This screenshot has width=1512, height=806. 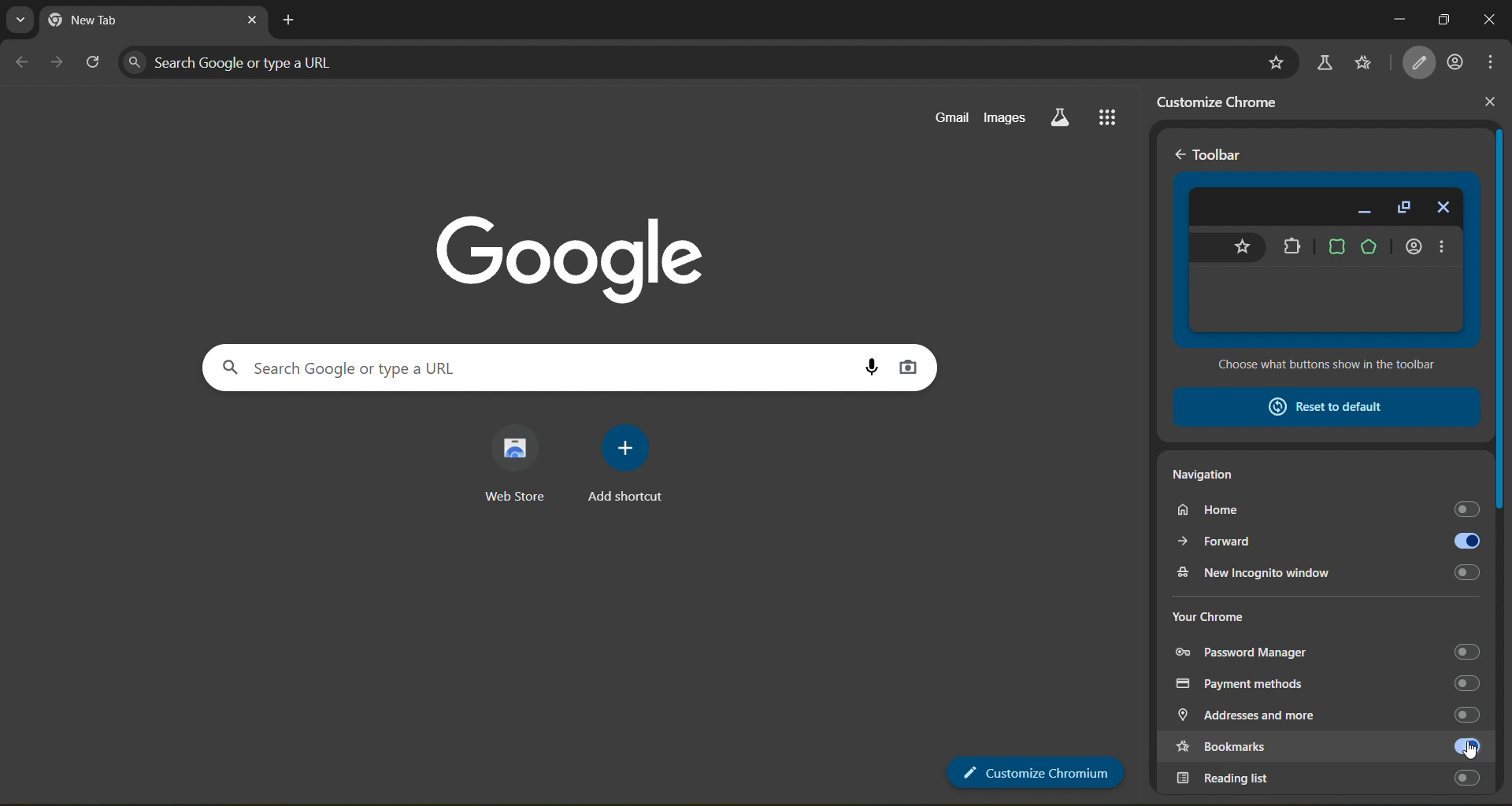 I want to click on password manager, so click(x=1329, y=649).